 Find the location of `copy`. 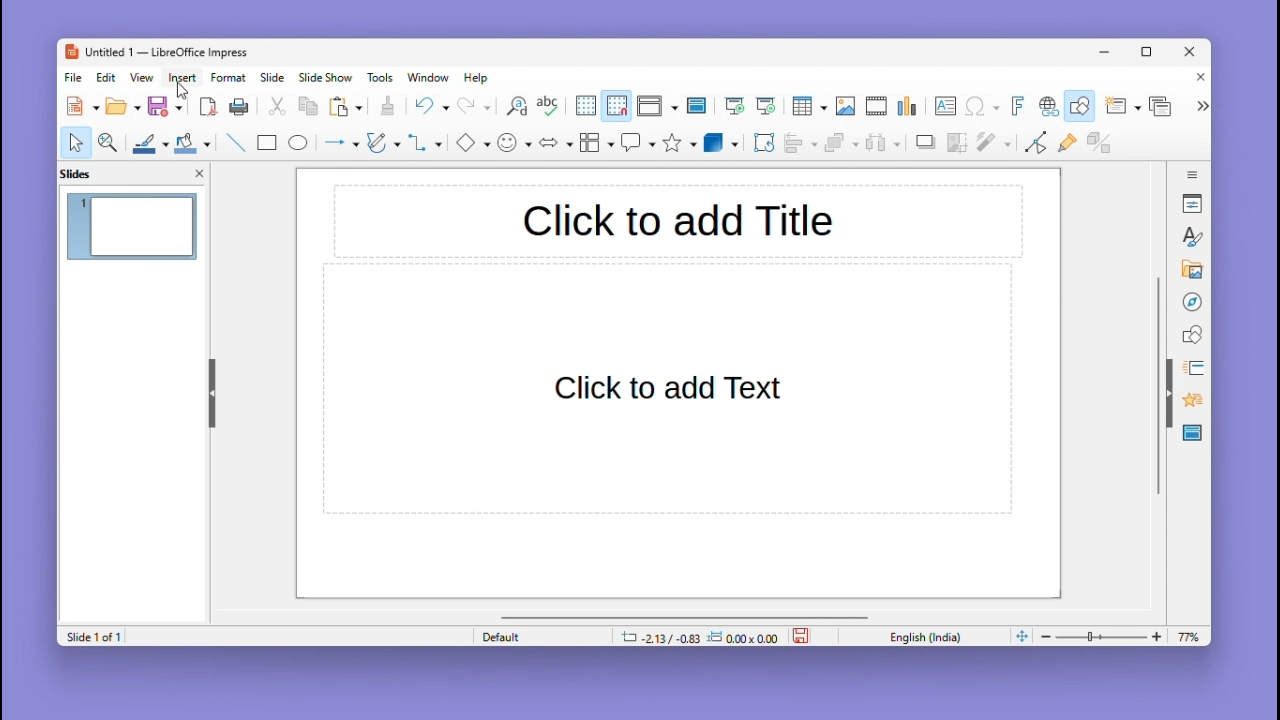

copy is located at coordinates (308, 107).